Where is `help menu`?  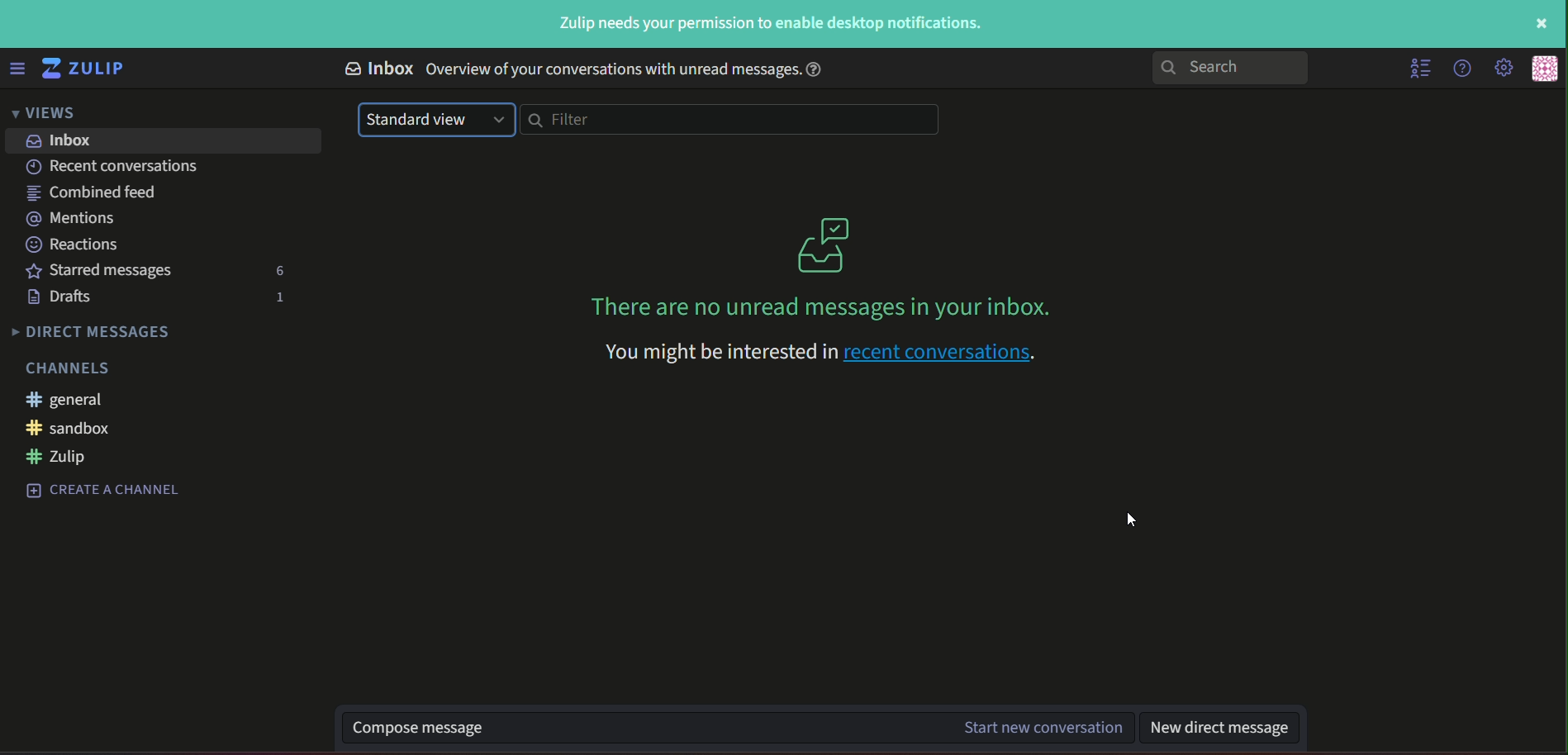
help menu is located at coordinates (1464, 68).